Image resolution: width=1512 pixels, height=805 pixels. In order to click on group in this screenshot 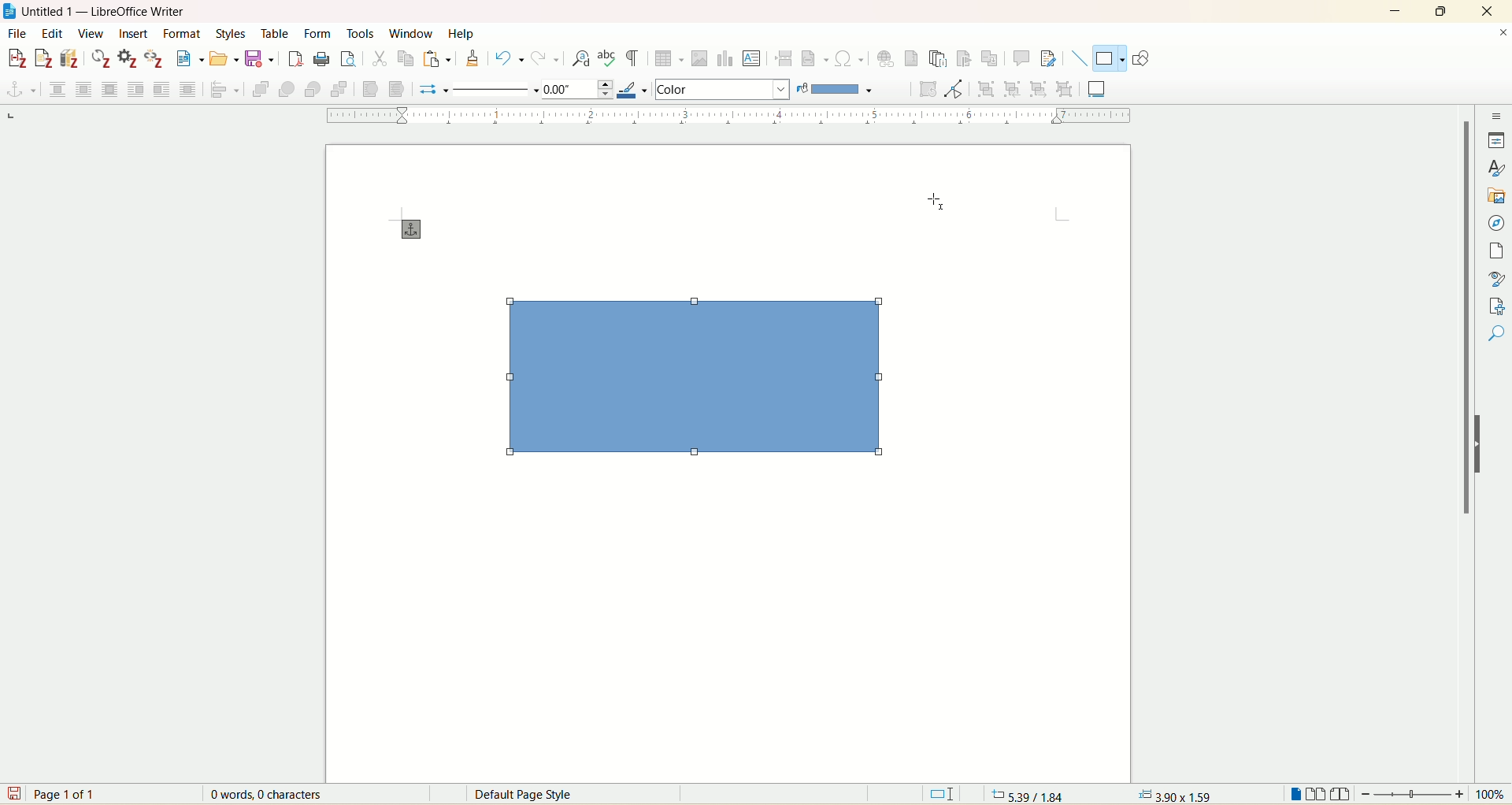, I will do `click(988, 90)`.